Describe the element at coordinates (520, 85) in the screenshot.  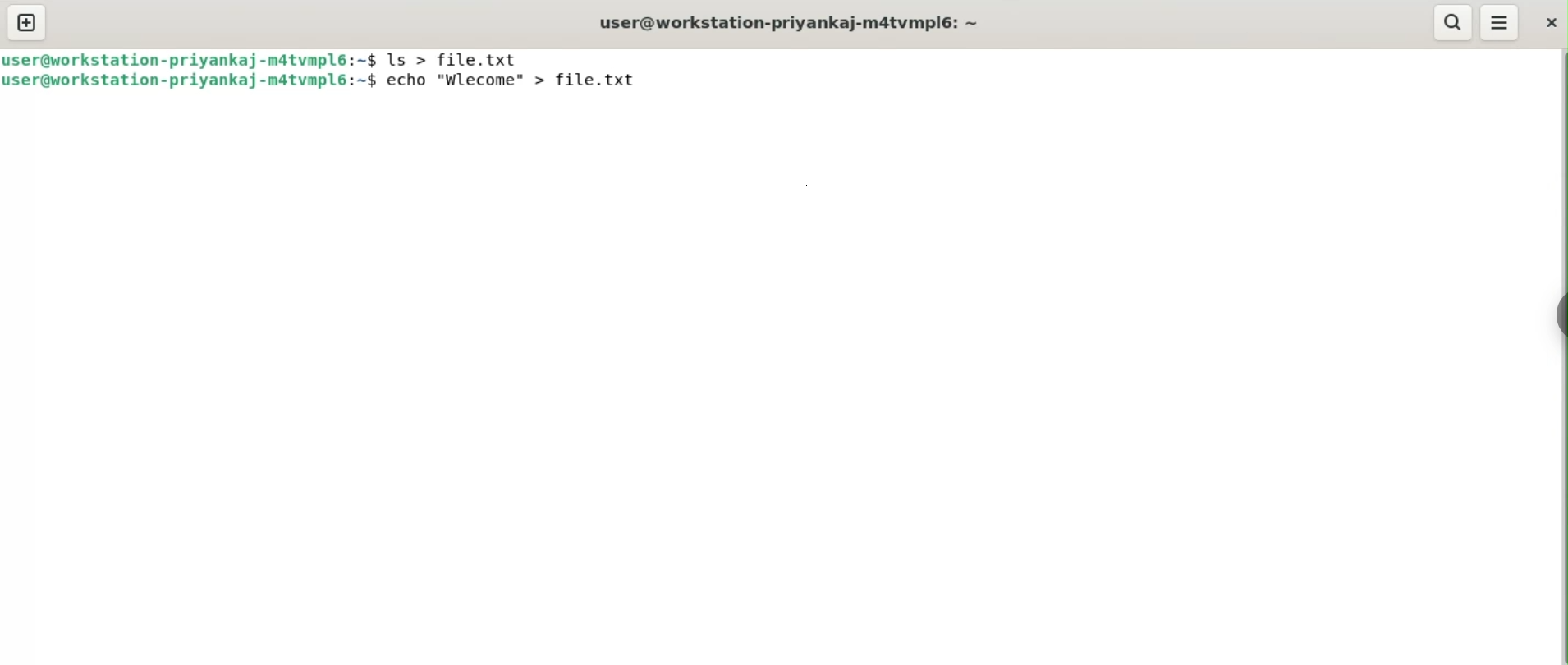
I see `echo "Wlecome" > file.txt` at that location.